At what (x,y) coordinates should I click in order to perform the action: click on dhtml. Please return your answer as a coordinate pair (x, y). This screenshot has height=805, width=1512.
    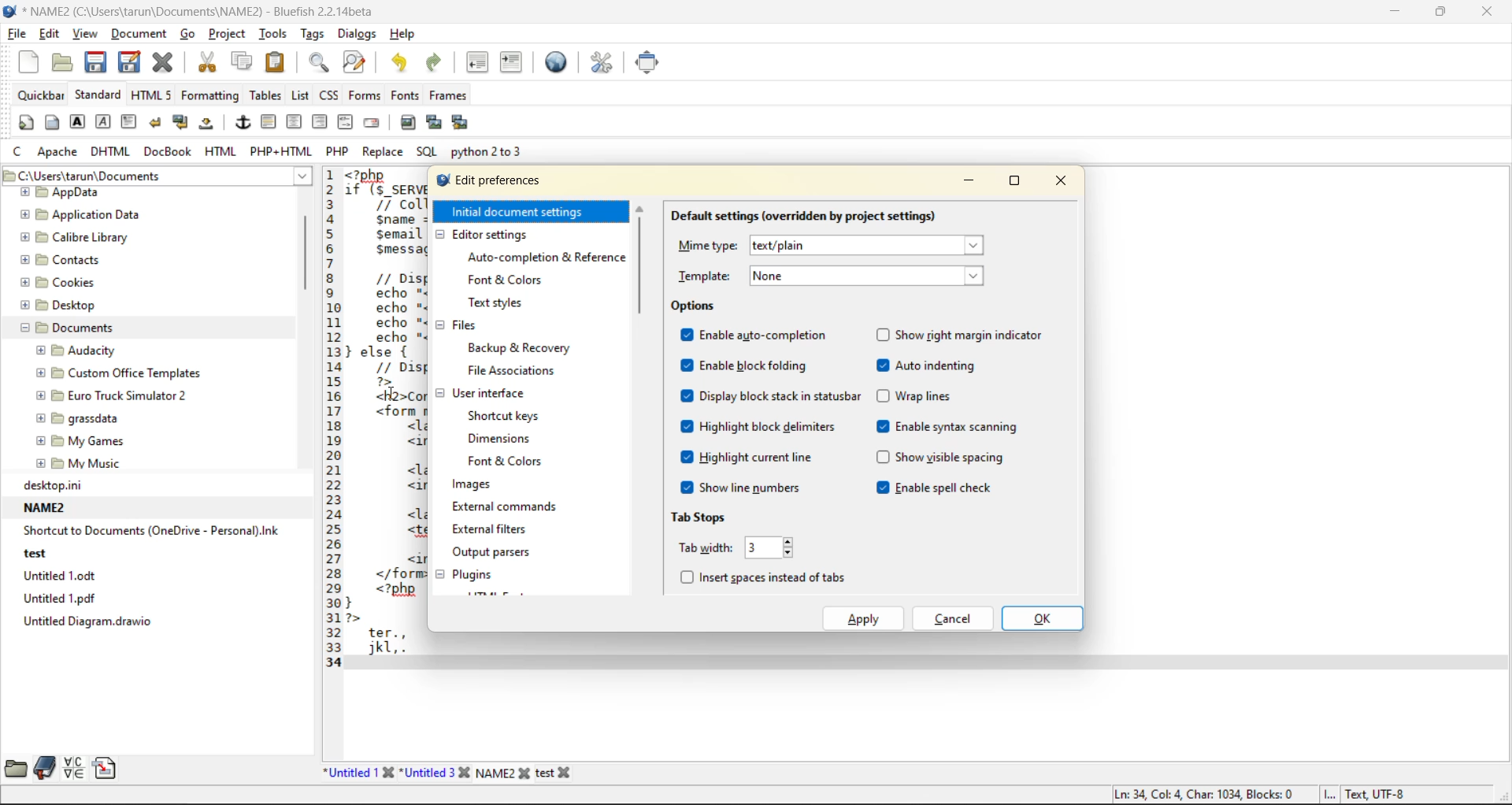
    Looking at the image, I should click on (108, 153).